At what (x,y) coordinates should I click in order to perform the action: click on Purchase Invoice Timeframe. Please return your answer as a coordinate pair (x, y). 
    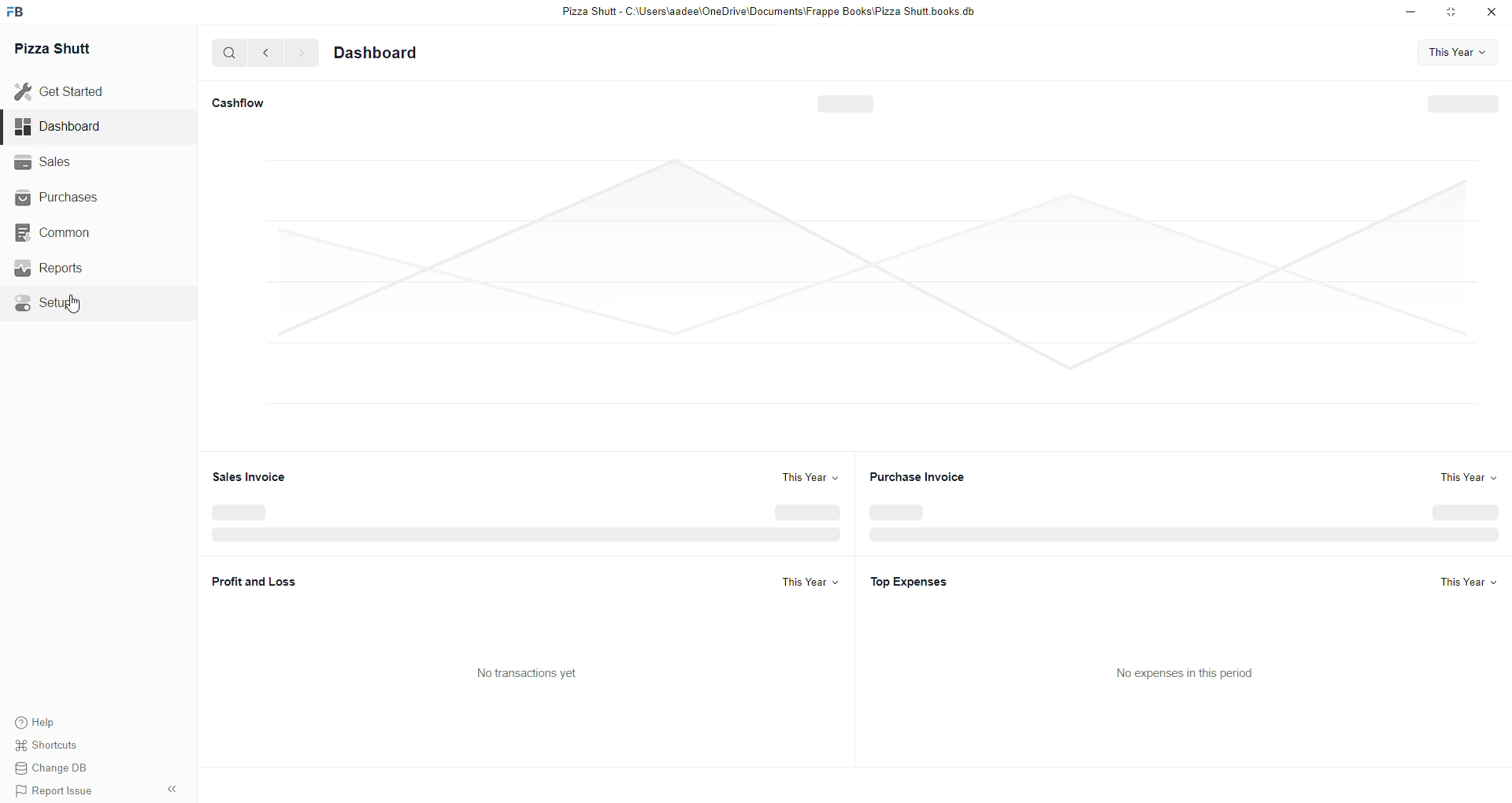
    Looking at the image, I should click on (1466, 476).